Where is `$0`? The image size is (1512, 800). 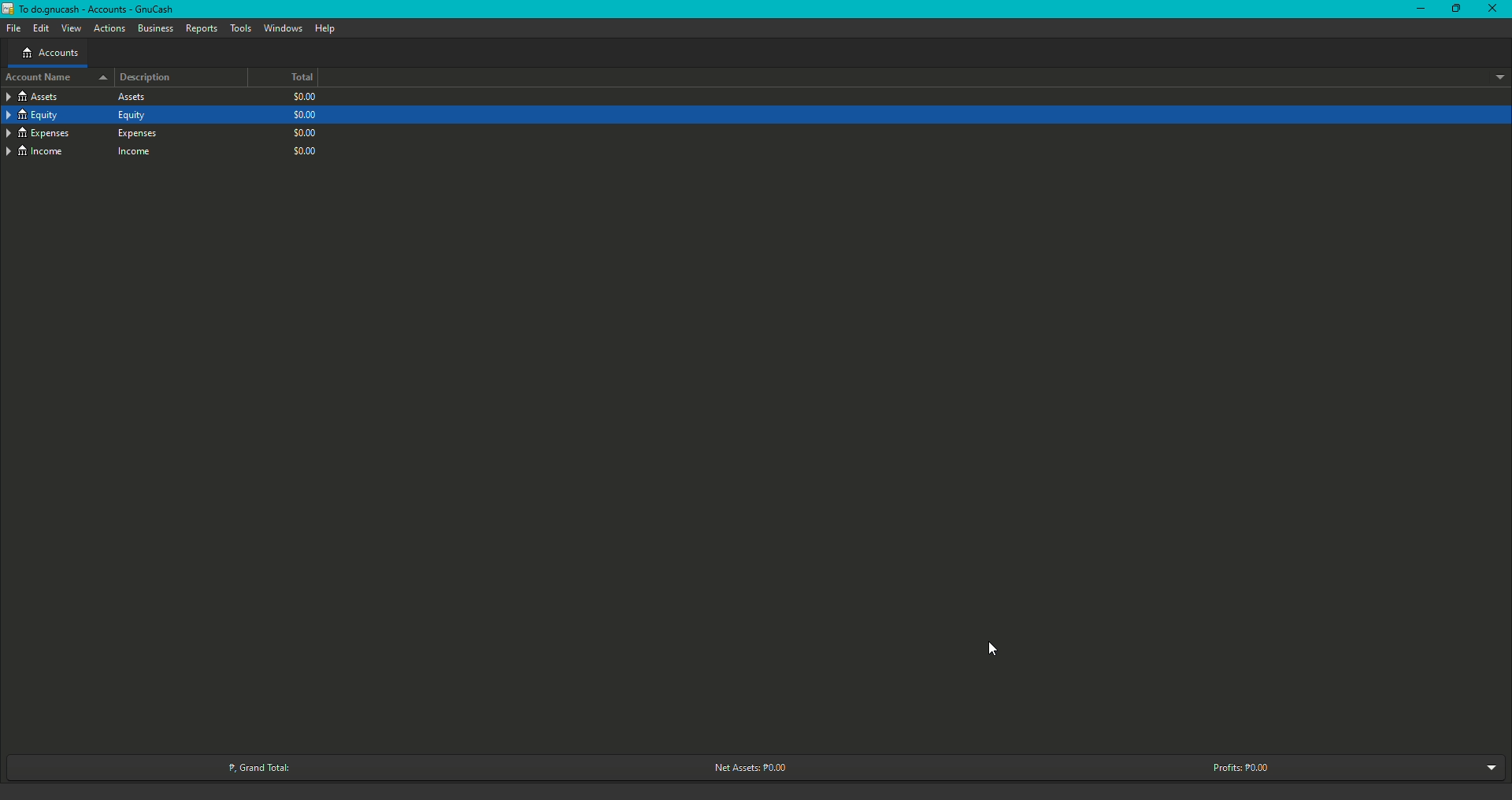
$0 is located at coordinates (303, 115).